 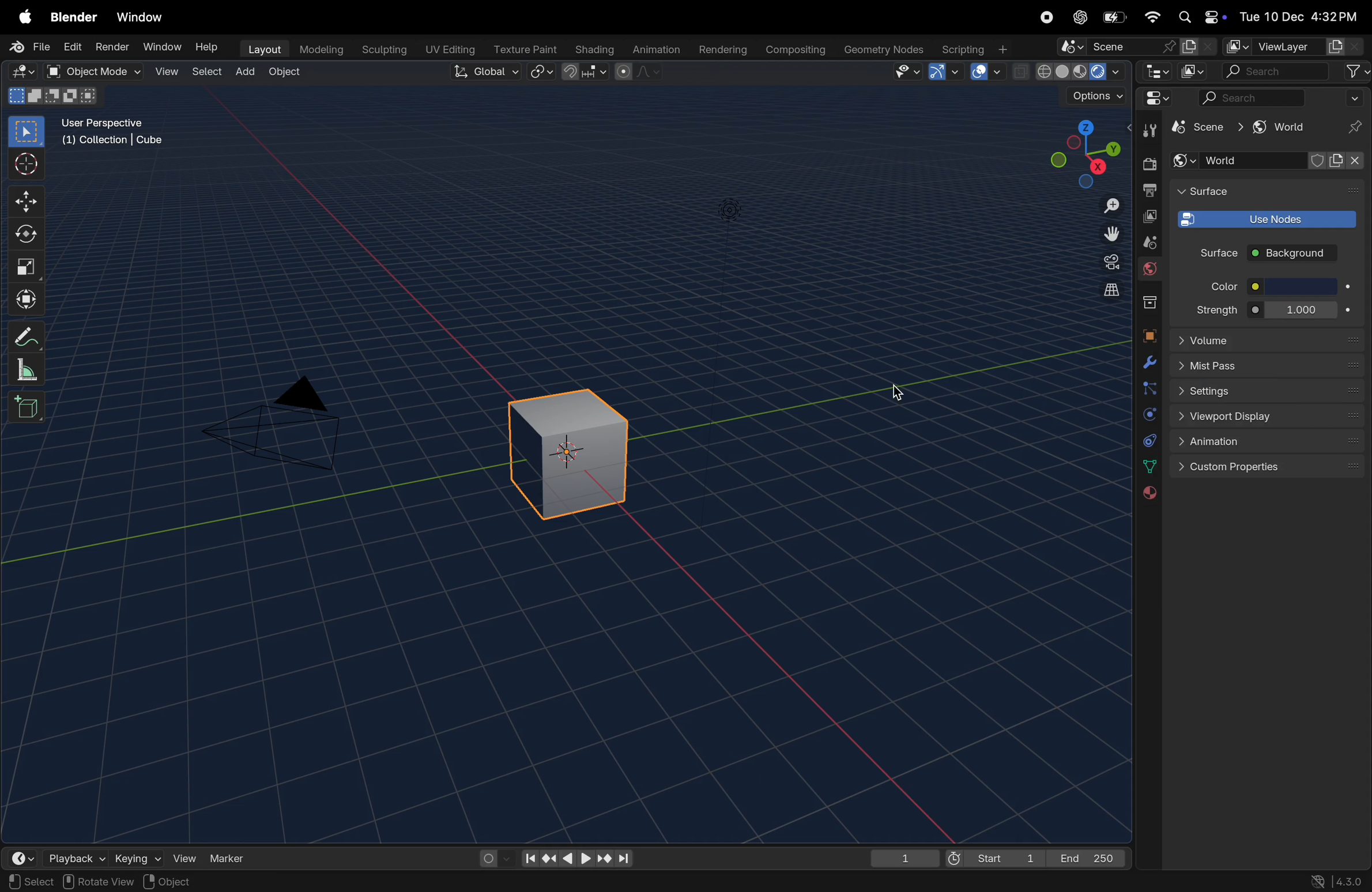 What do you see at coordinates (1148, 164) in the screenshot?
I see `render` at bounding box center [1148, 164].